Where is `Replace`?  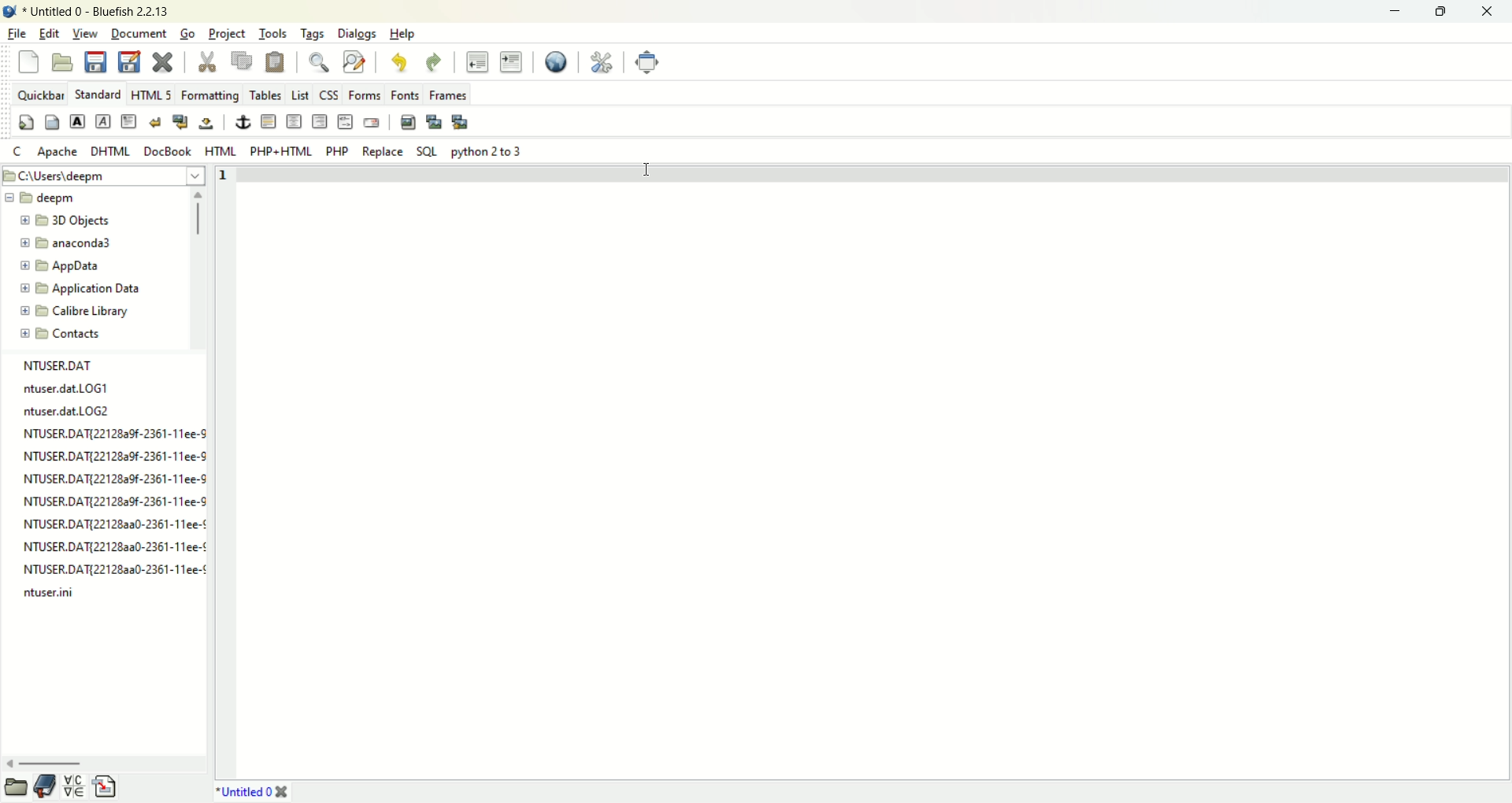
Replace is located at coordinates (382, 153).